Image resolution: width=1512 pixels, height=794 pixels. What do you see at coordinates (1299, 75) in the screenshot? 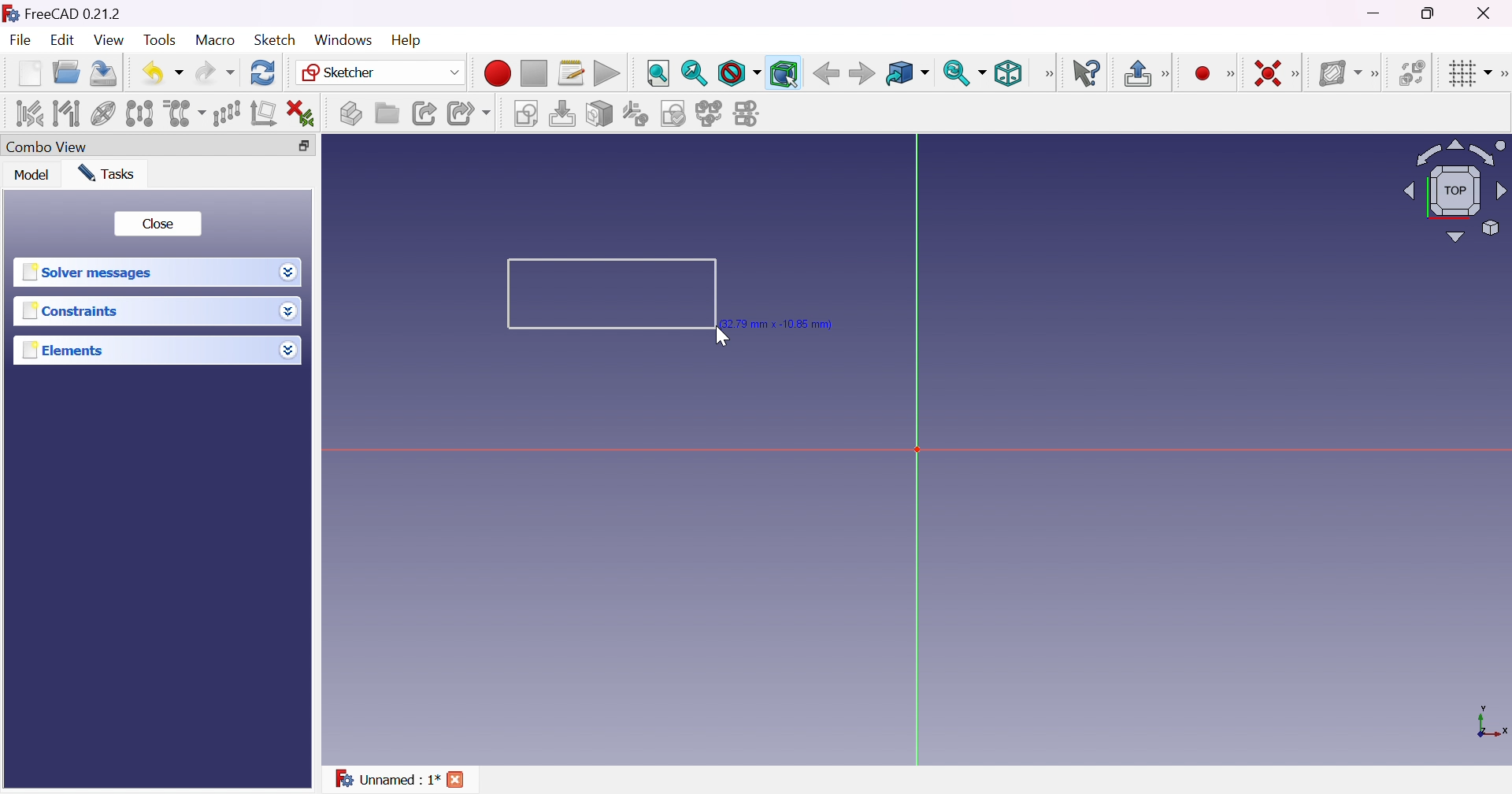
I see `[Sketcher constraints]` at bounding box center [1299, 75].